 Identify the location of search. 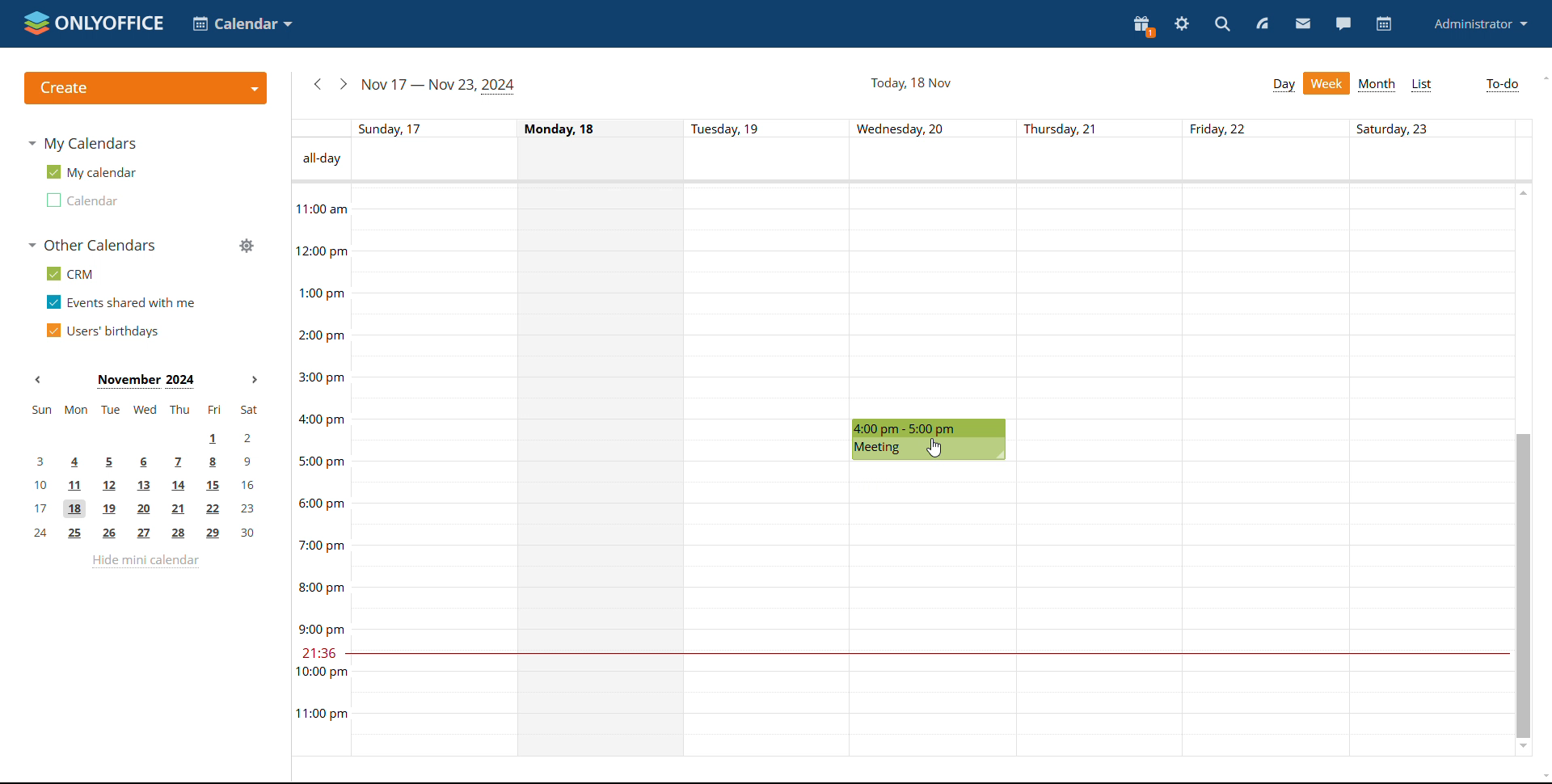
(1221, 24).